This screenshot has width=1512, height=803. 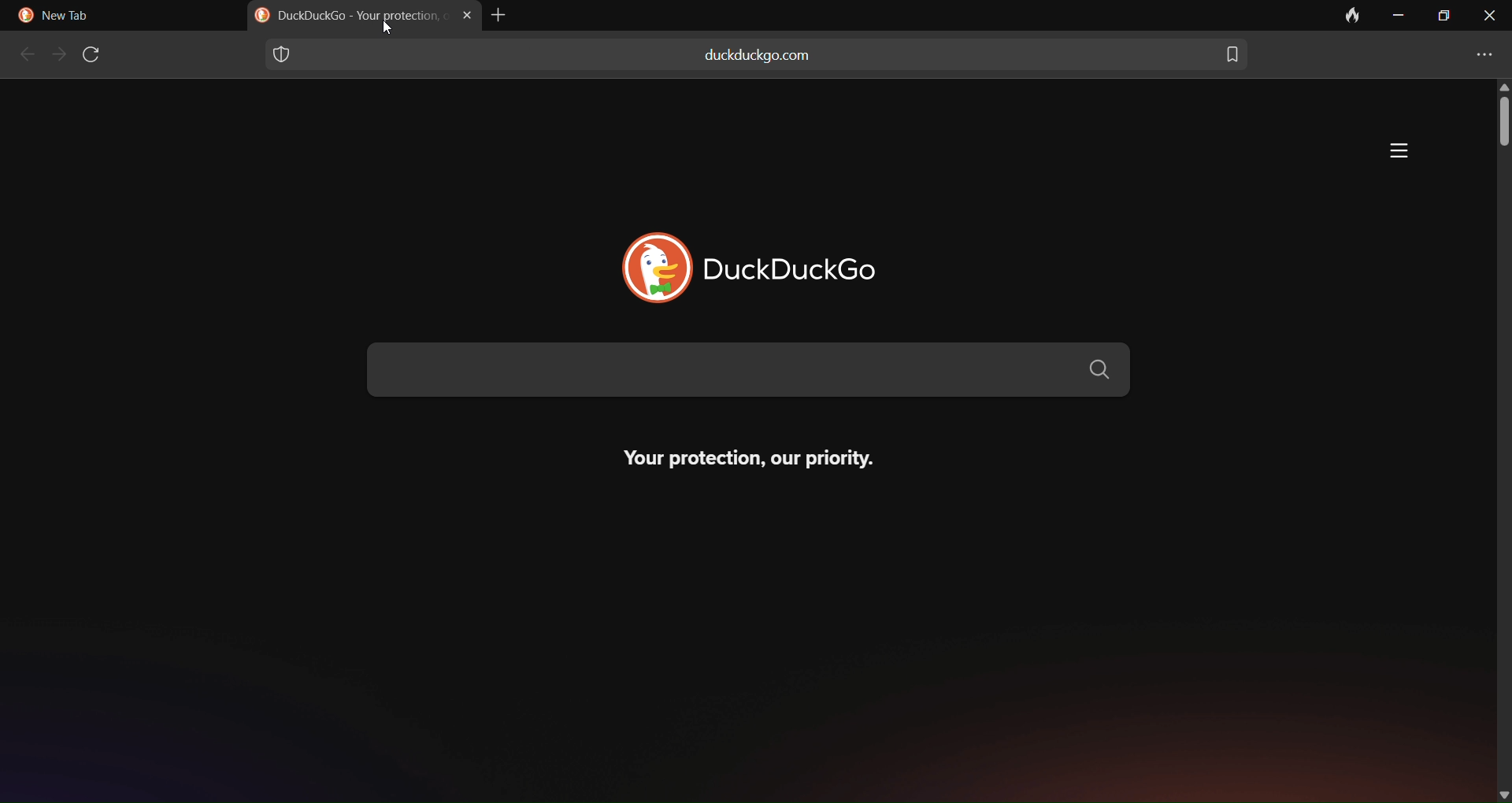 I want to click on protection, so click(x=282, y=54).